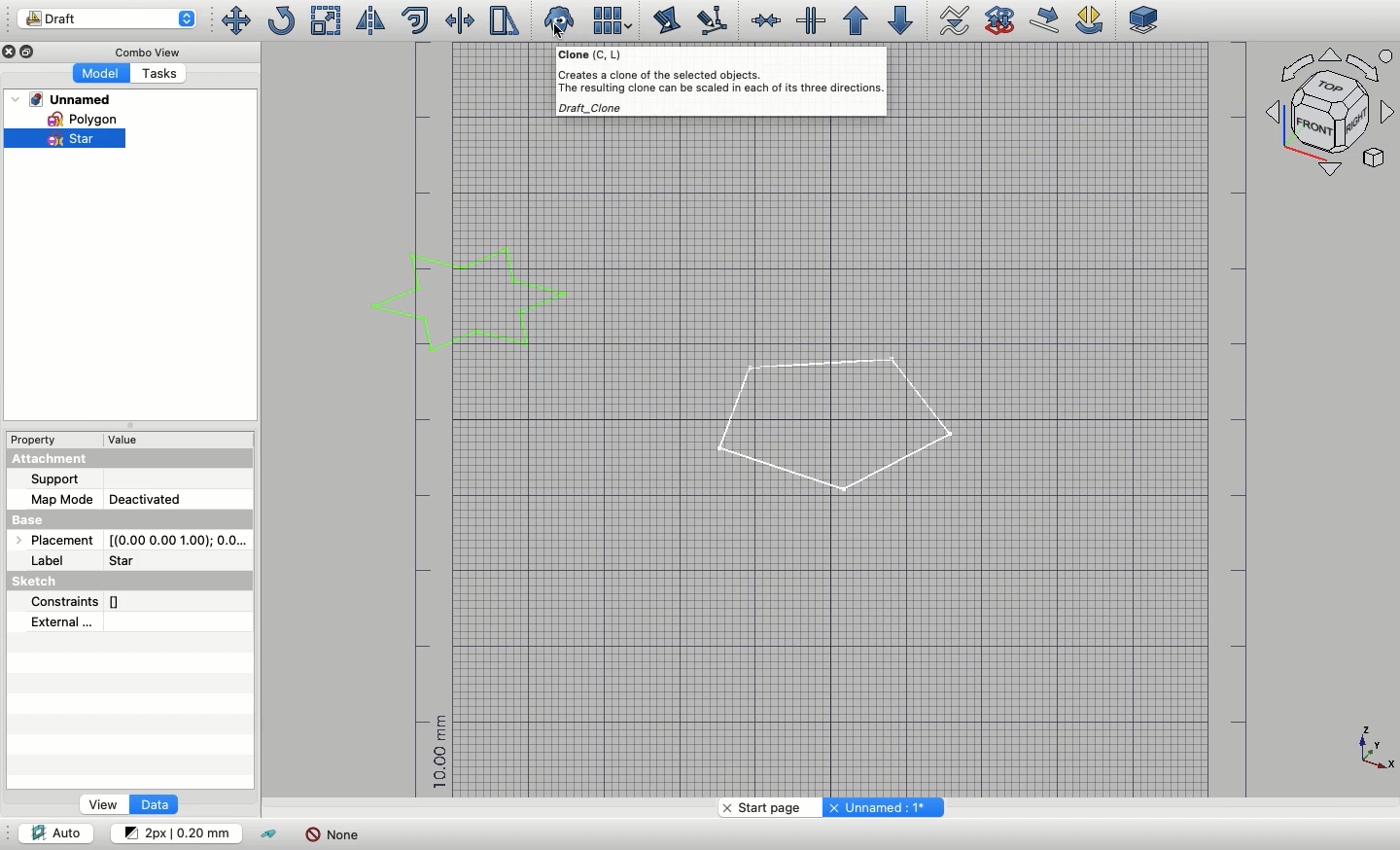 The height and width of the screenshot is (850, 1400). I want to click on Label, so click(52, 560).